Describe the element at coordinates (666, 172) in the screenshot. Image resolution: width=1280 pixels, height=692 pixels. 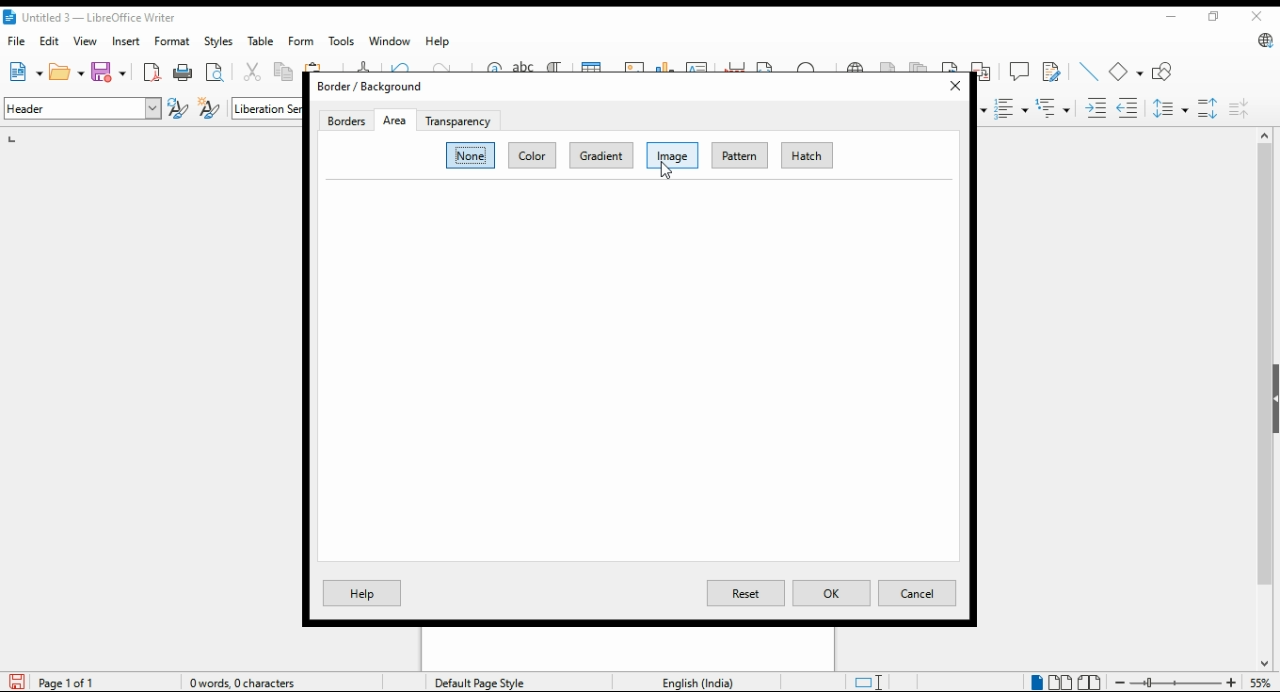
I see `cursor` at that location.